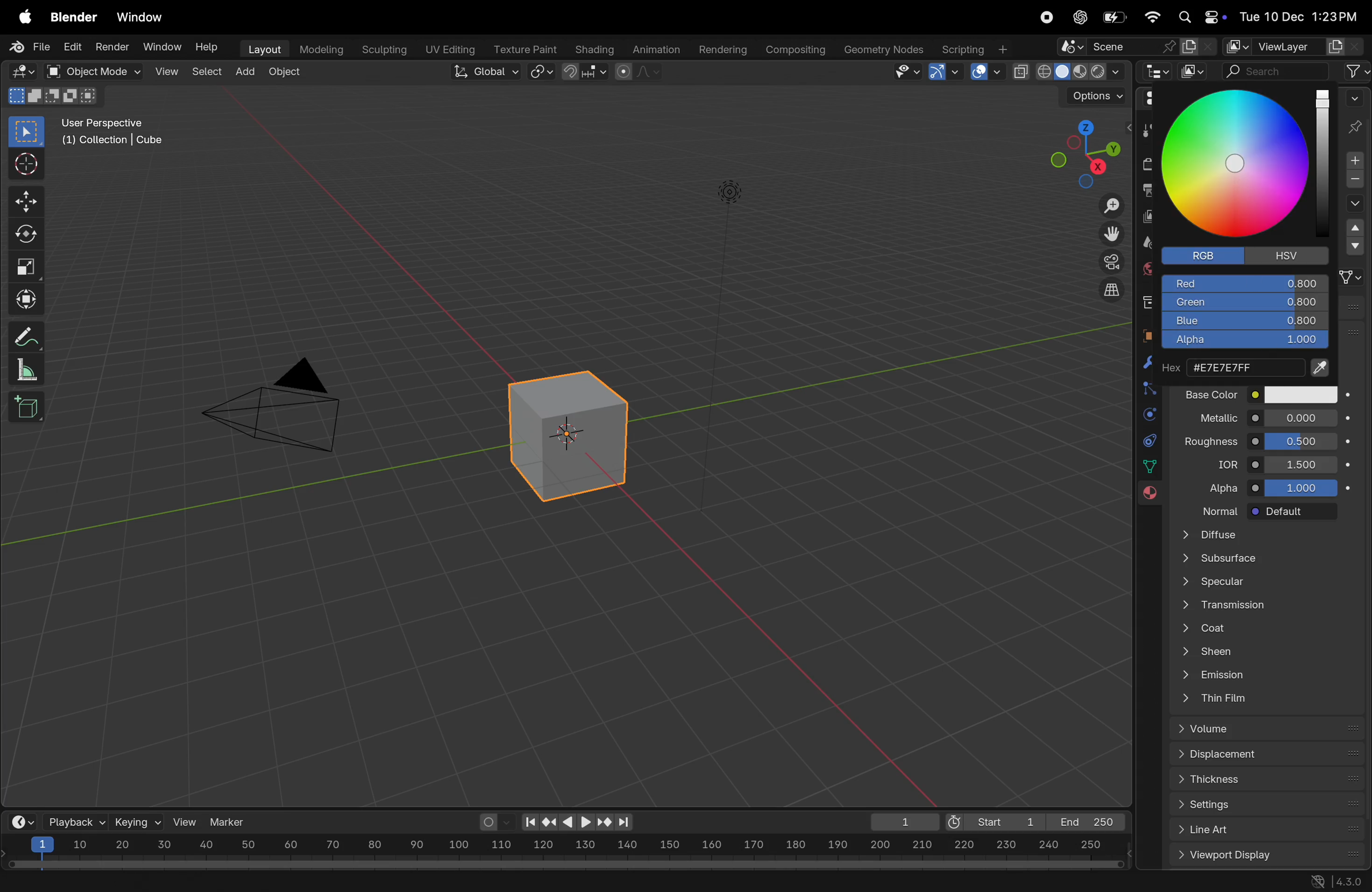  Describe the element at coordinates (25, 202) in the screenshot. I see `move` at that location.